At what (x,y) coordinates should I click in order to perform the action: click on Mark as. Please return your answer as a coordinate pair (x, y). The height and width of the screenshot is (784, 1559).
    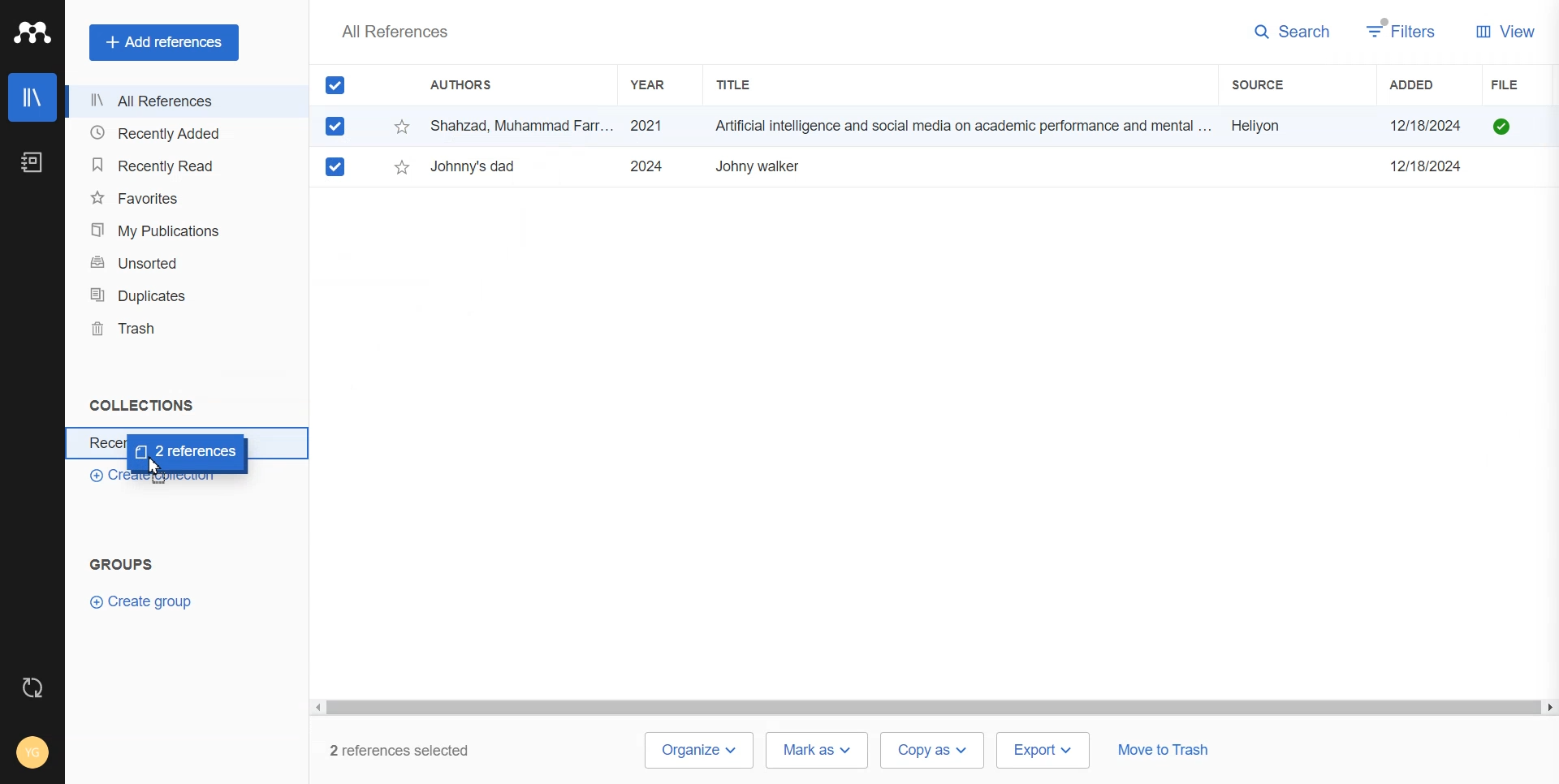
    Looking at the image, I should click on (817, 749).